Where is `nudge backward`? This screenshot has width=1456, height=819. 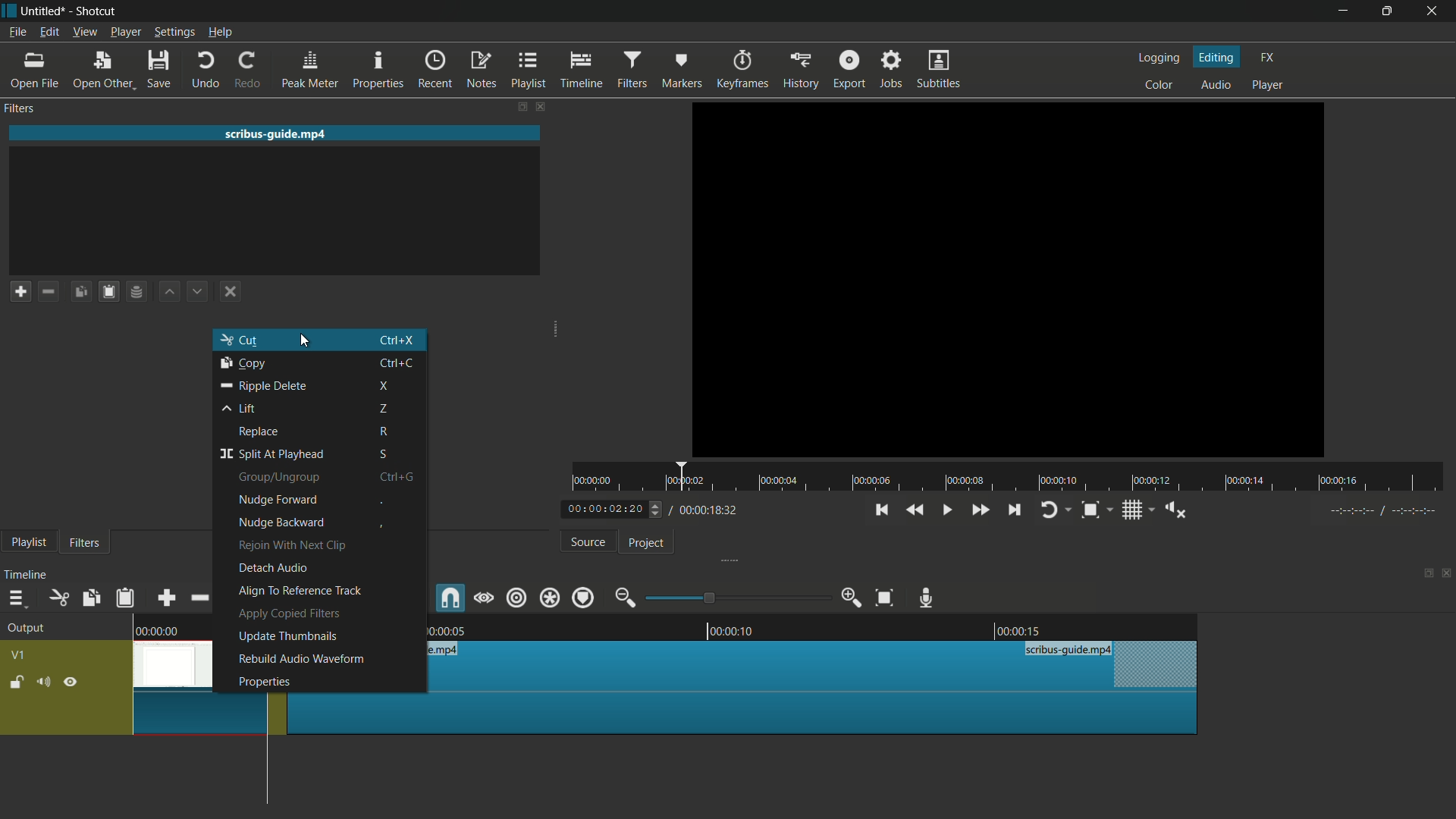
nudge backward is located at coordinates (281, 523).